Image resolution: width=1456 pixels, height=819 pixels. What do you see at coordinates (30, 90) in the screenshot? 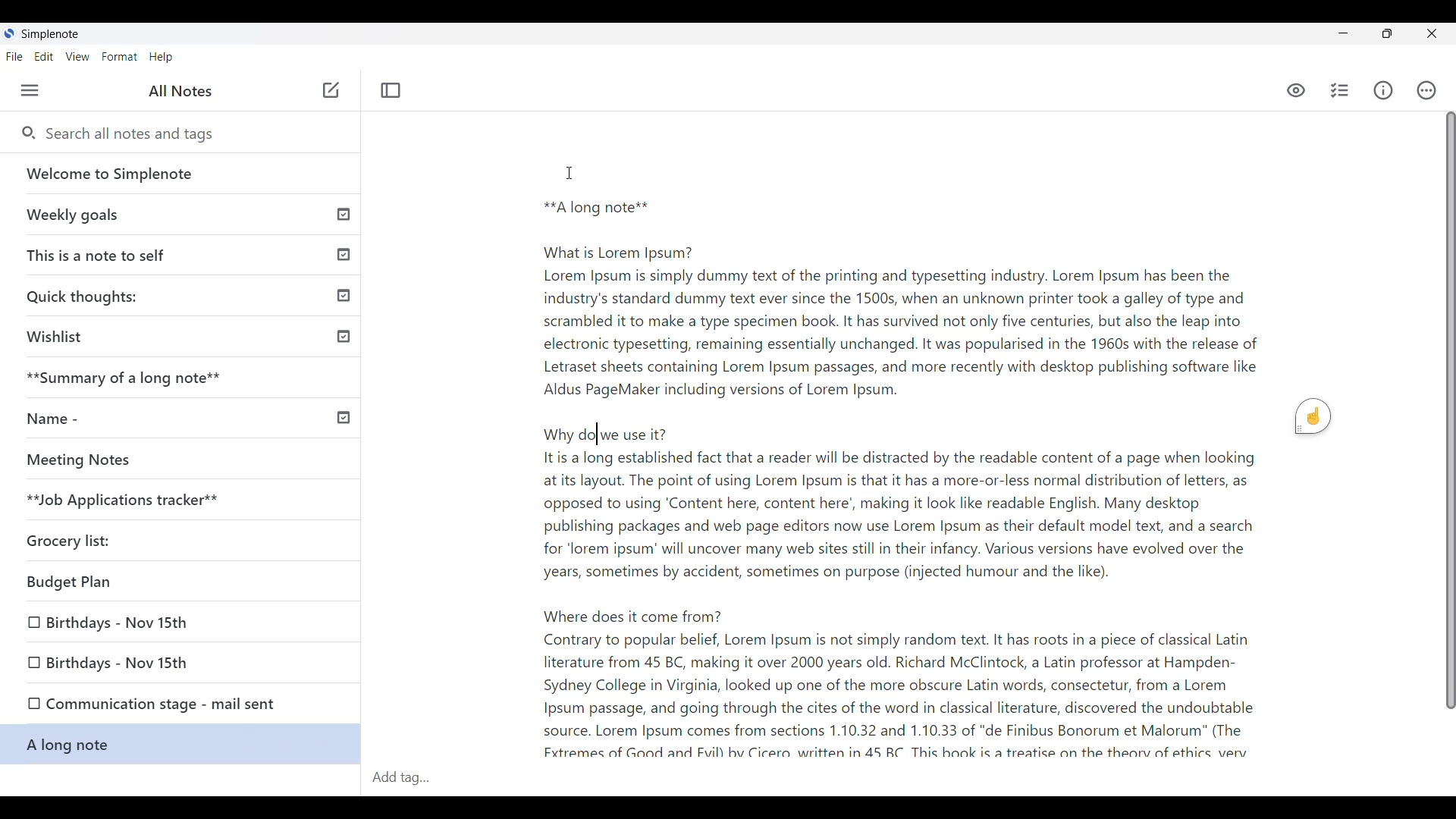
I see `Menu` at bounding box center [30, 90].